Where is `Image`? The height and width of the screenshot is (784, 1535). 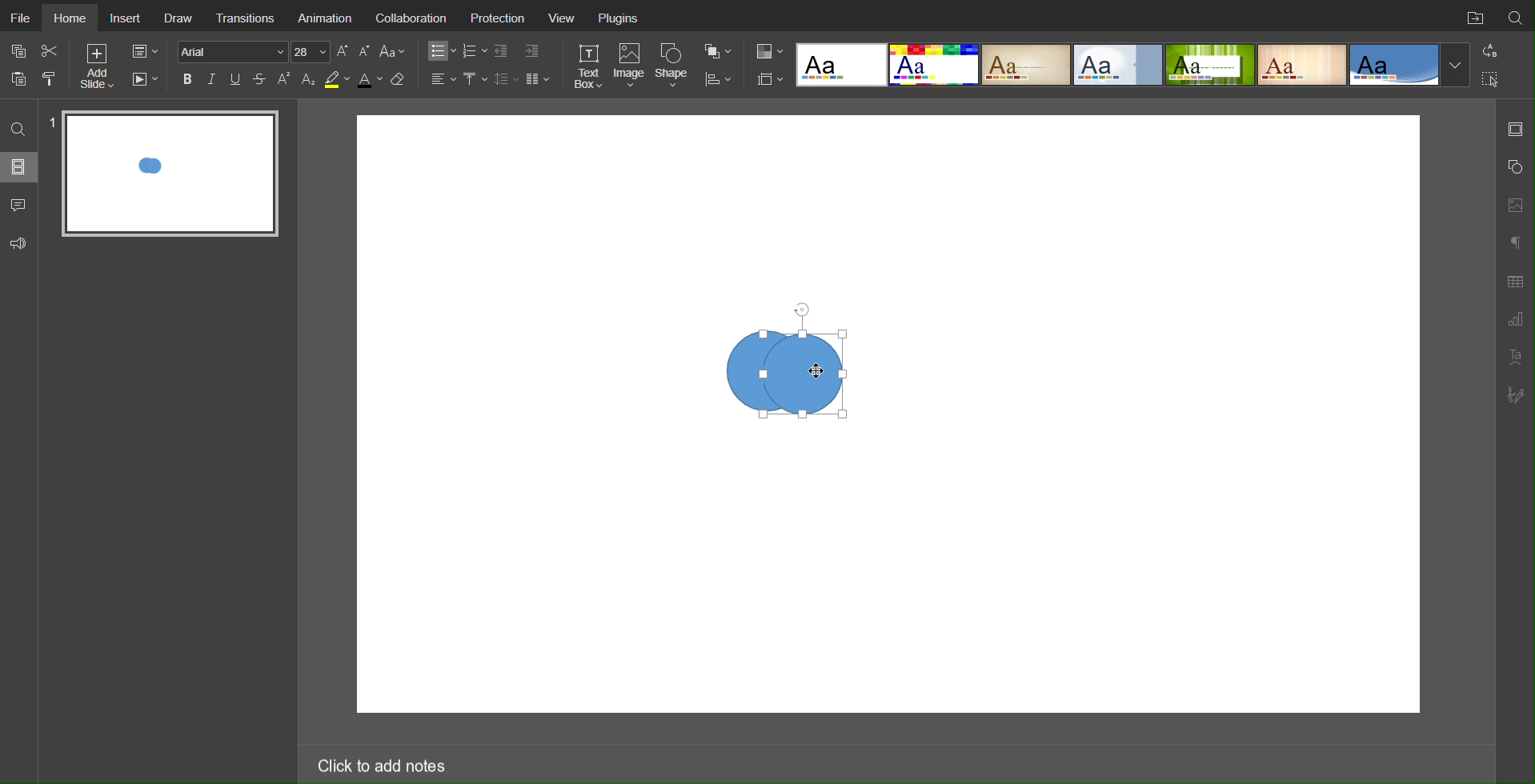
Image is located at coordinates (631, 66).